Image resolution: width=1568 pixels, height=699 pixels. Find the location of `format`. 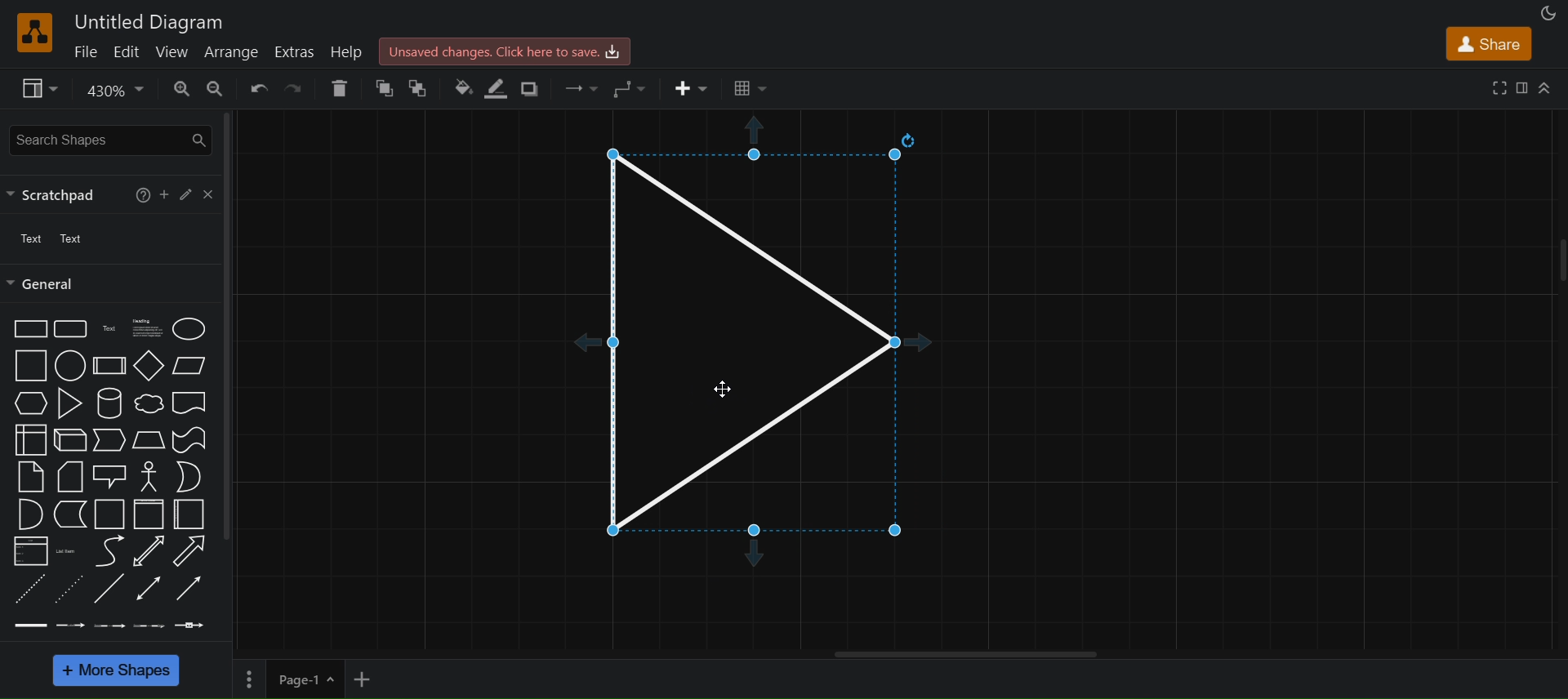

format is located at coordinates (1521, 87).